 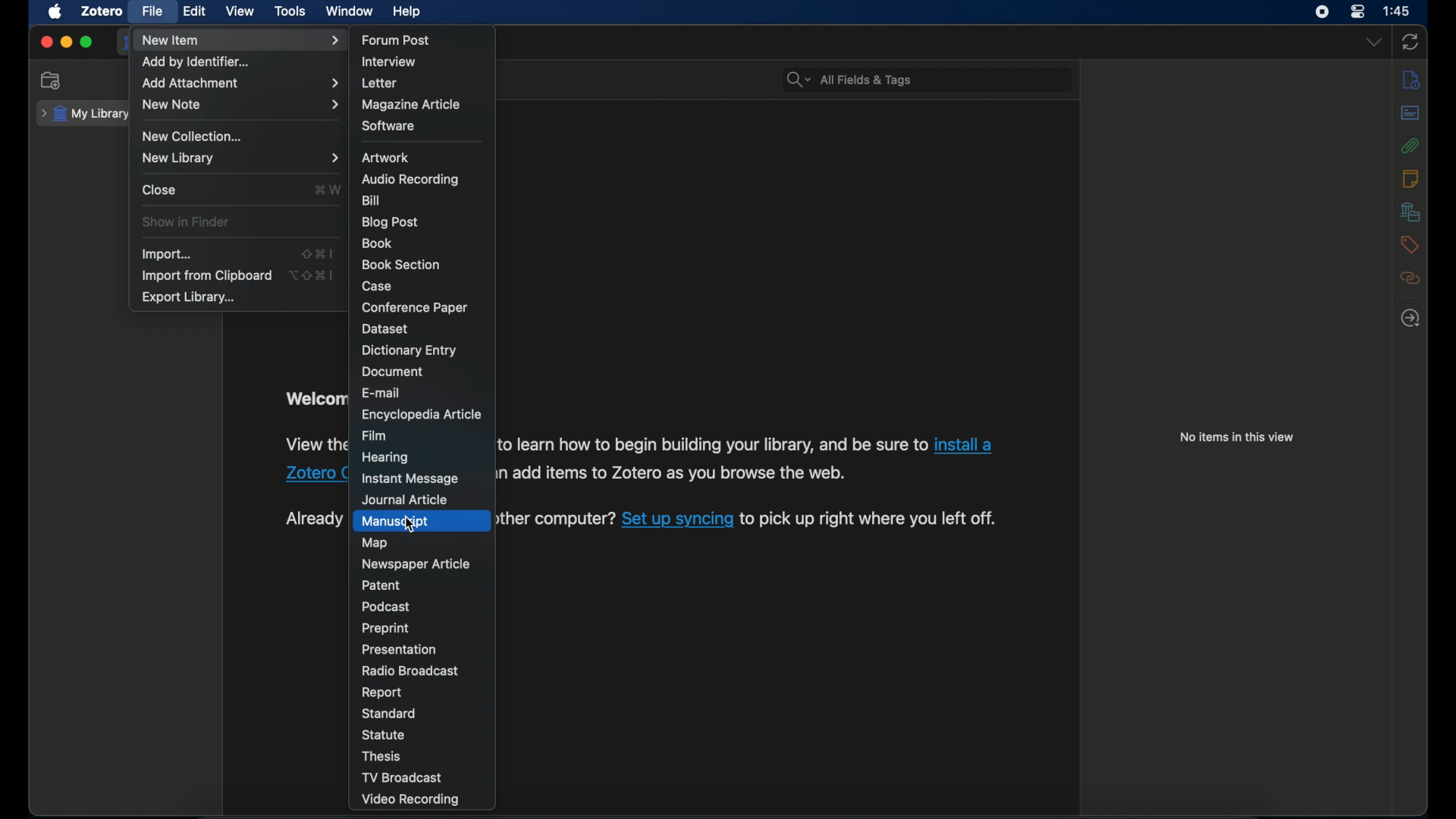 I want to click on info, so click(x=1410, y=80).